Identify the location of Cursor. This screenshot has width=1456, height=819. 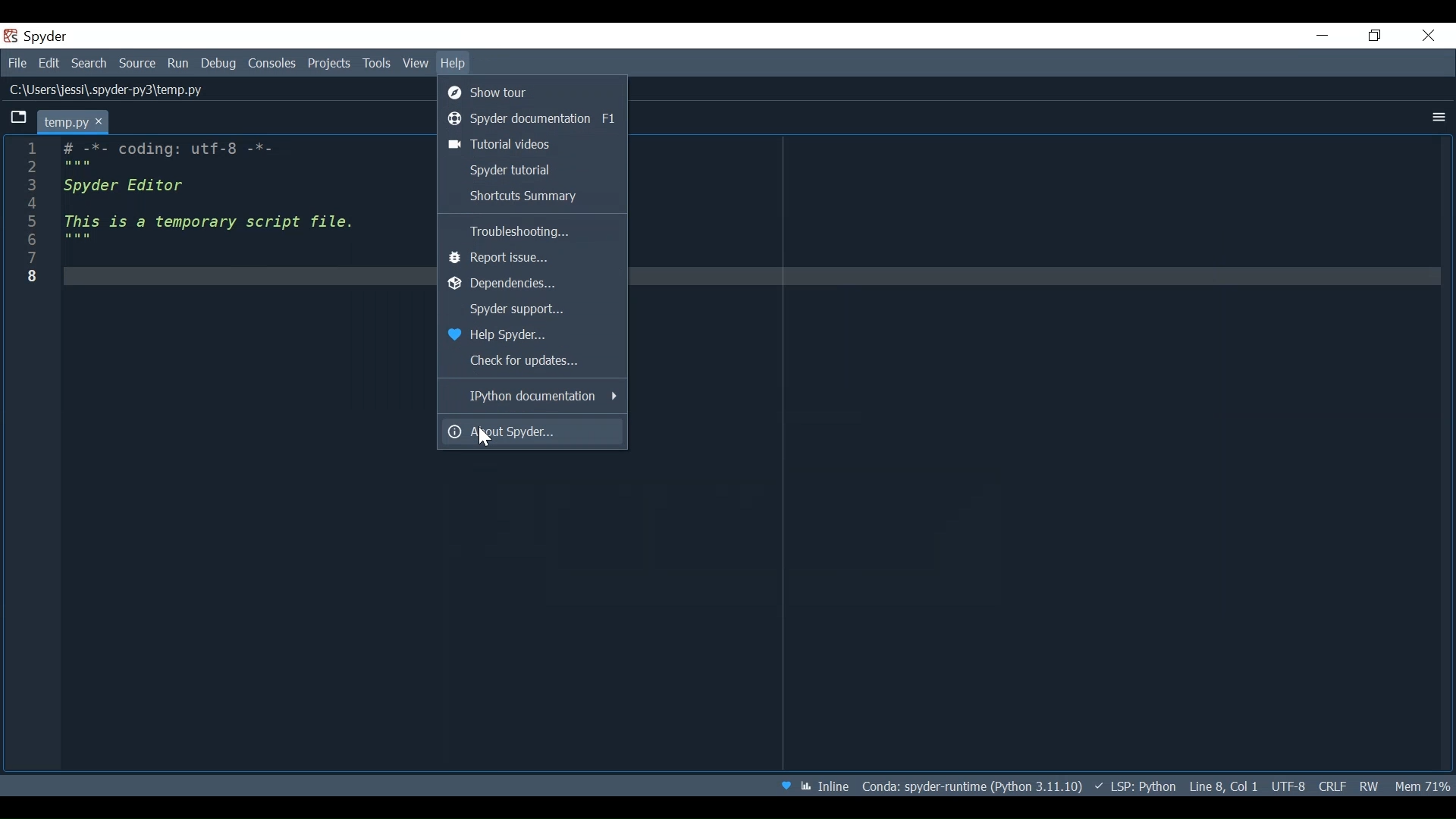
(484, 438).